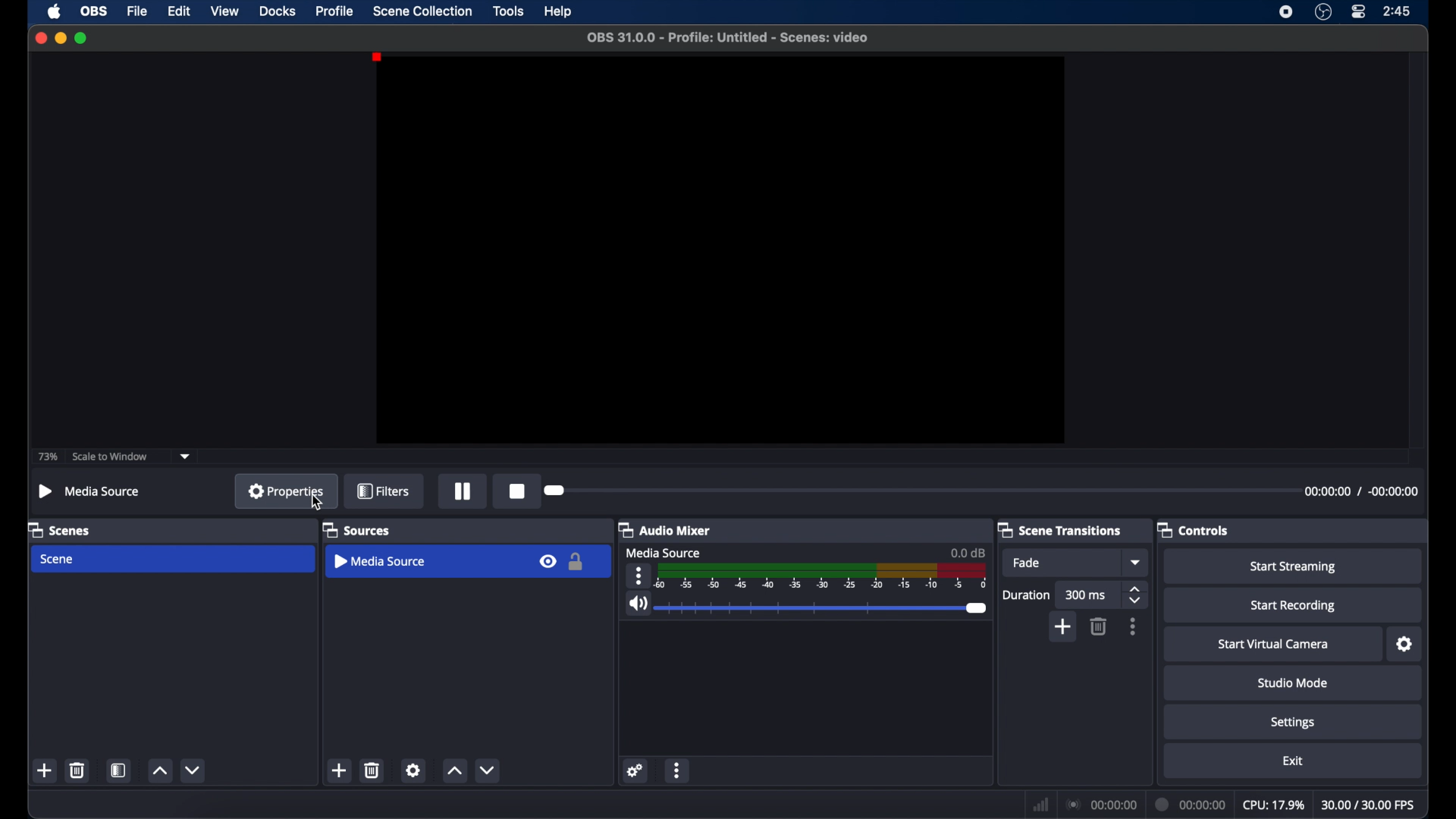 Image resolution: width=1456 pixels, height=819 pixels. What do you see at coordinates (1367, 805) in the screenshot?
I see `fps` at bounding box center [1367, 805].